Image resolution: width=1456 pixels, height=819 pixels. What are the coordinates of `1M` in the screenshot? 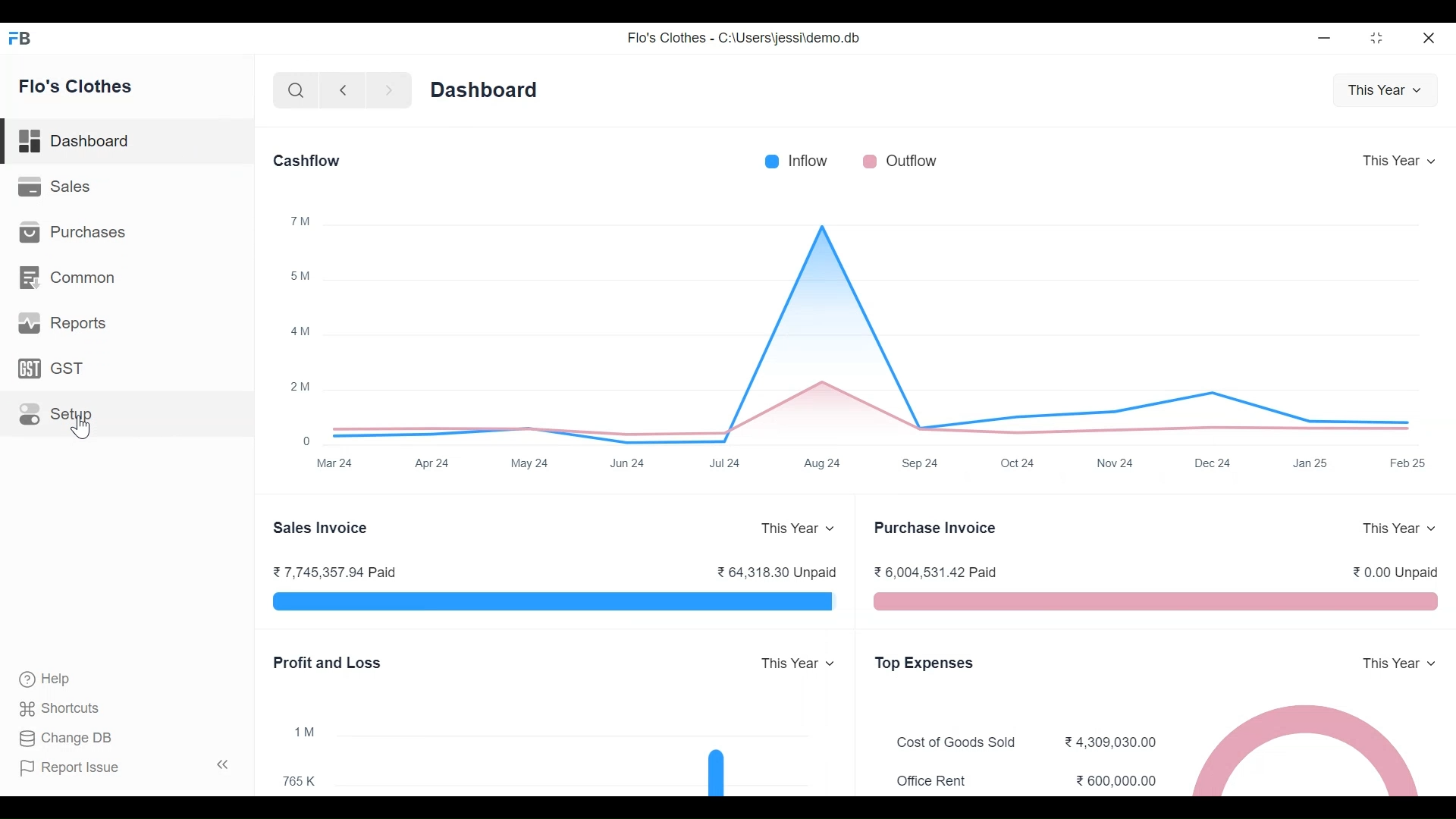 It's located at (304, 733).